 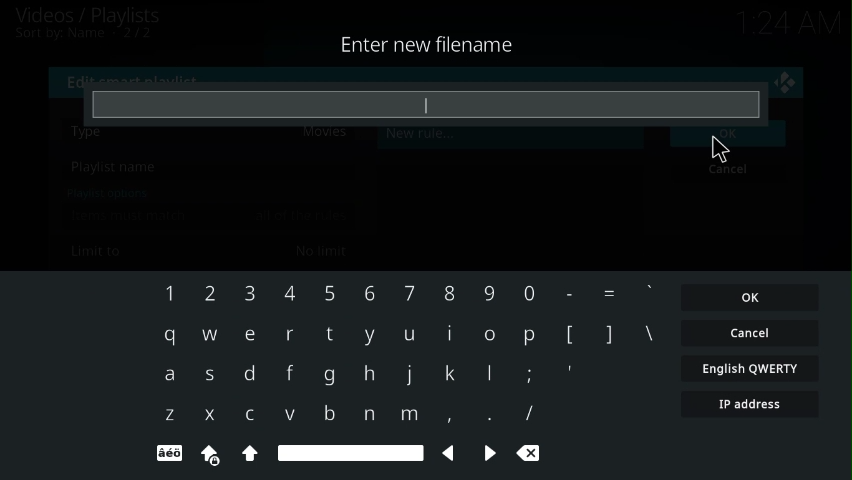 What do you see at coordinates (142, 79) in the screenshot?
I see `edit smart playlist` at bounding box center [142, 79].